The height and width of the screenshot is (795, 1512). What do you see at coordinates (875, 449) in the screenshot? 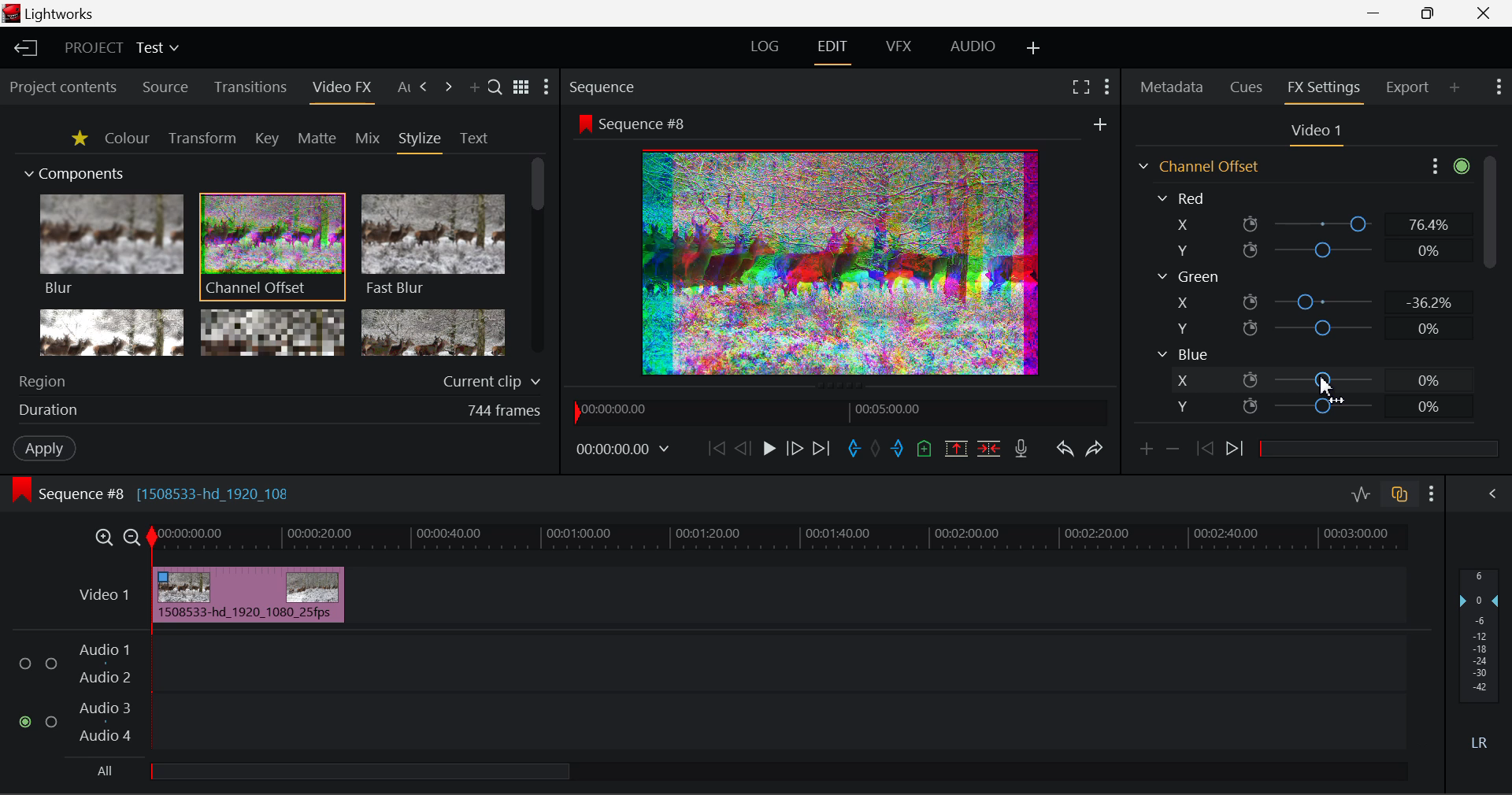
I see `Remove All Marks` at bounding box center [875, 449].